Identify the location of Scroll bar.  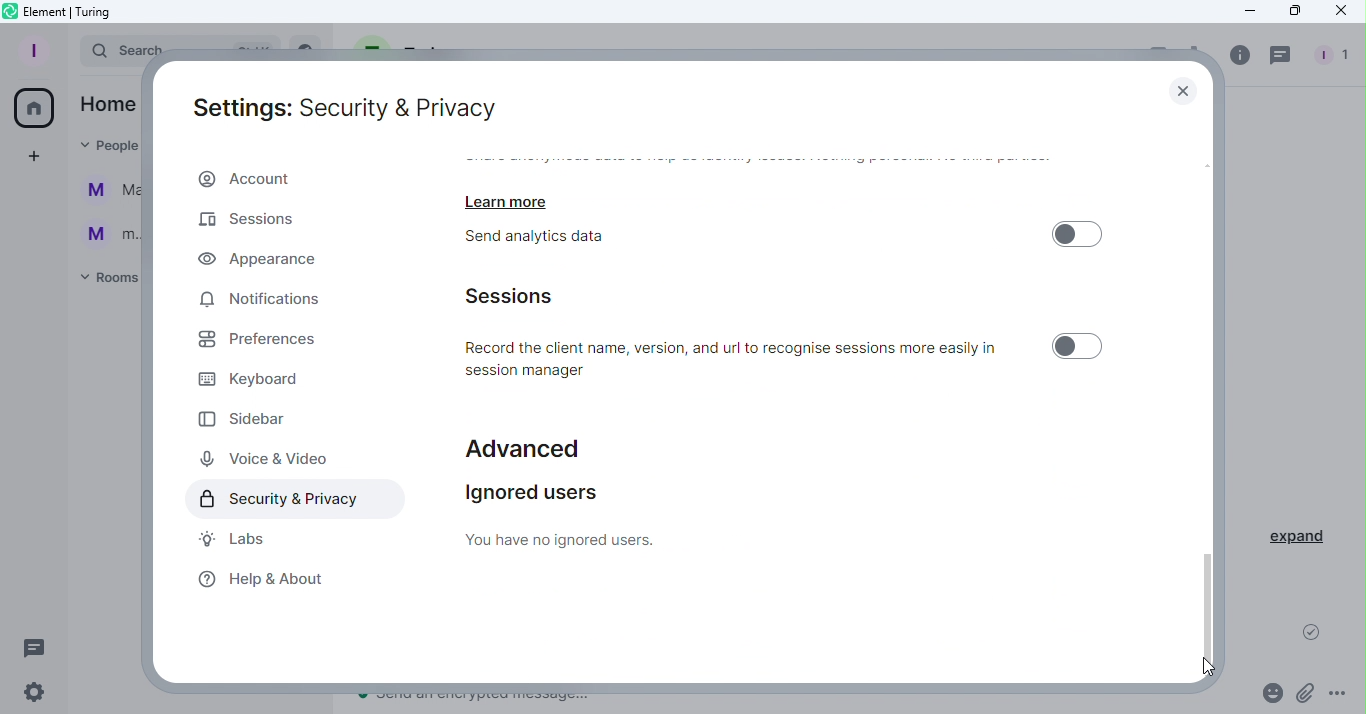
(1211, 412).